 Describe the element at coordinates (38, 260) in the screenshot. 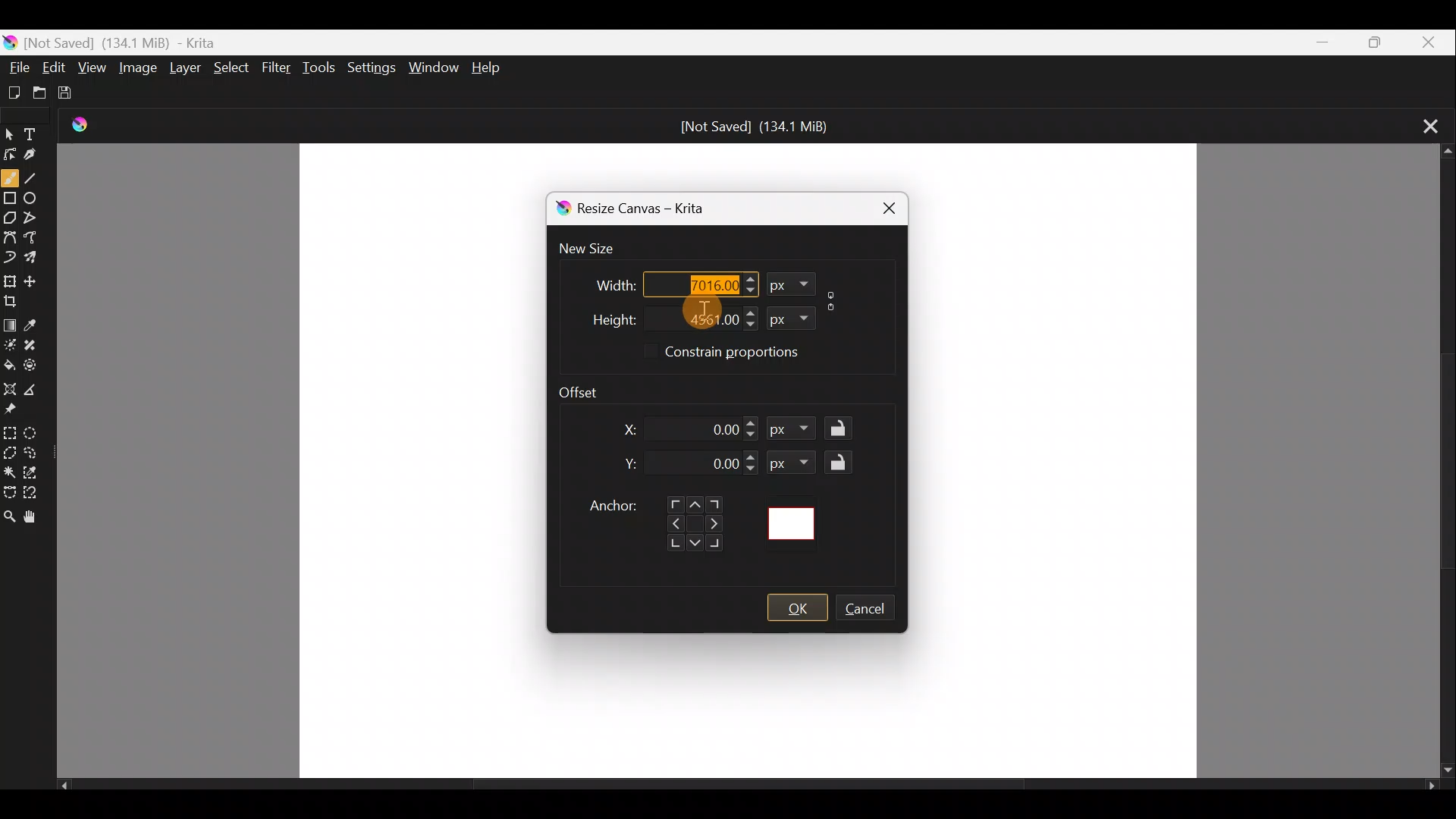

I see `Multibrush tool` at that location.